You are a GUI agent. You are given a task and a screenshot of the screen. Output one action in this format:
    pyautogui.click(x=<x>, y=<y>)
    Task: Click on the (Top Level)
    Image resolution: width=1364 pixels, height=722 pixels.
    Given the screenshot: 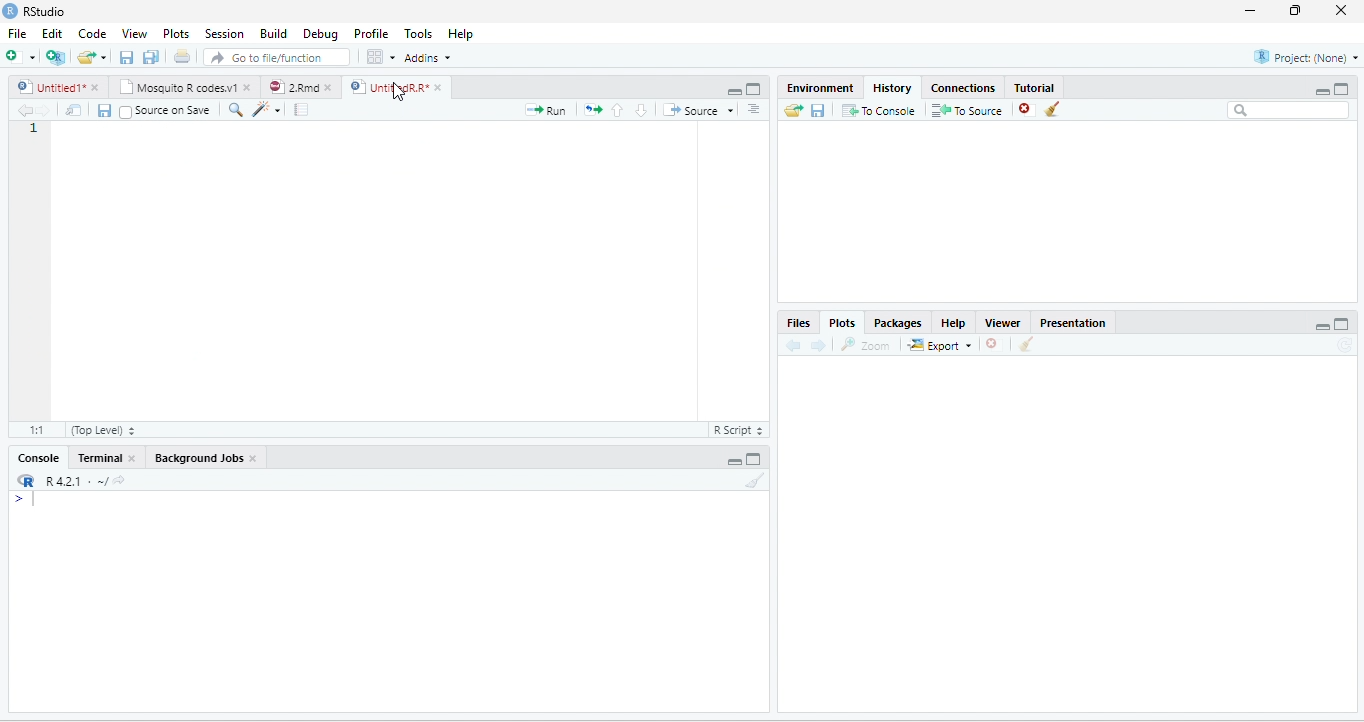 What is the action you would take?
    pyautogui.click(x=101, y=429)
    